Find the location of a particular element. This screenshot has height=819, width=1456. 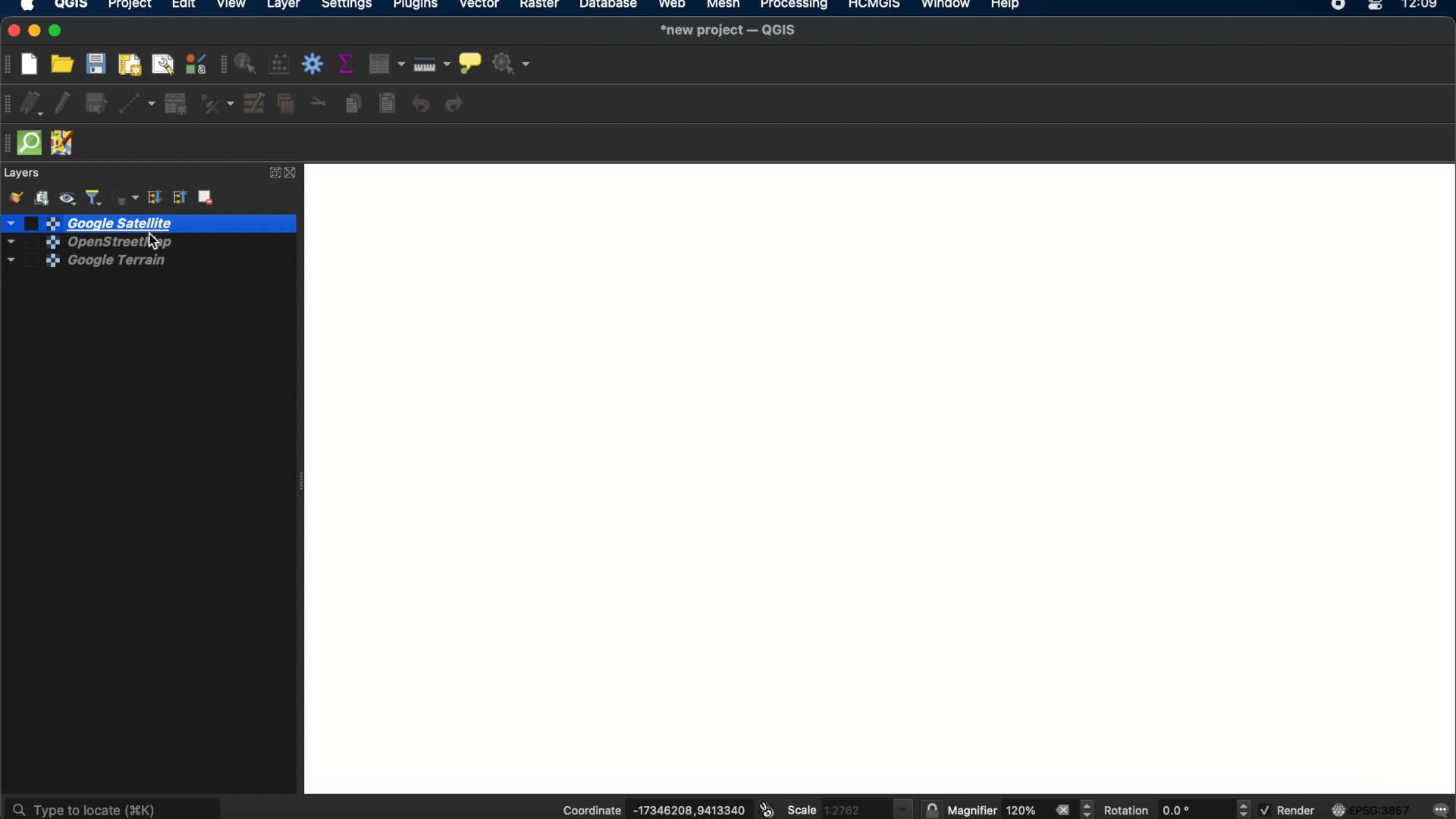

expand all is located at coordinates (154, 198).